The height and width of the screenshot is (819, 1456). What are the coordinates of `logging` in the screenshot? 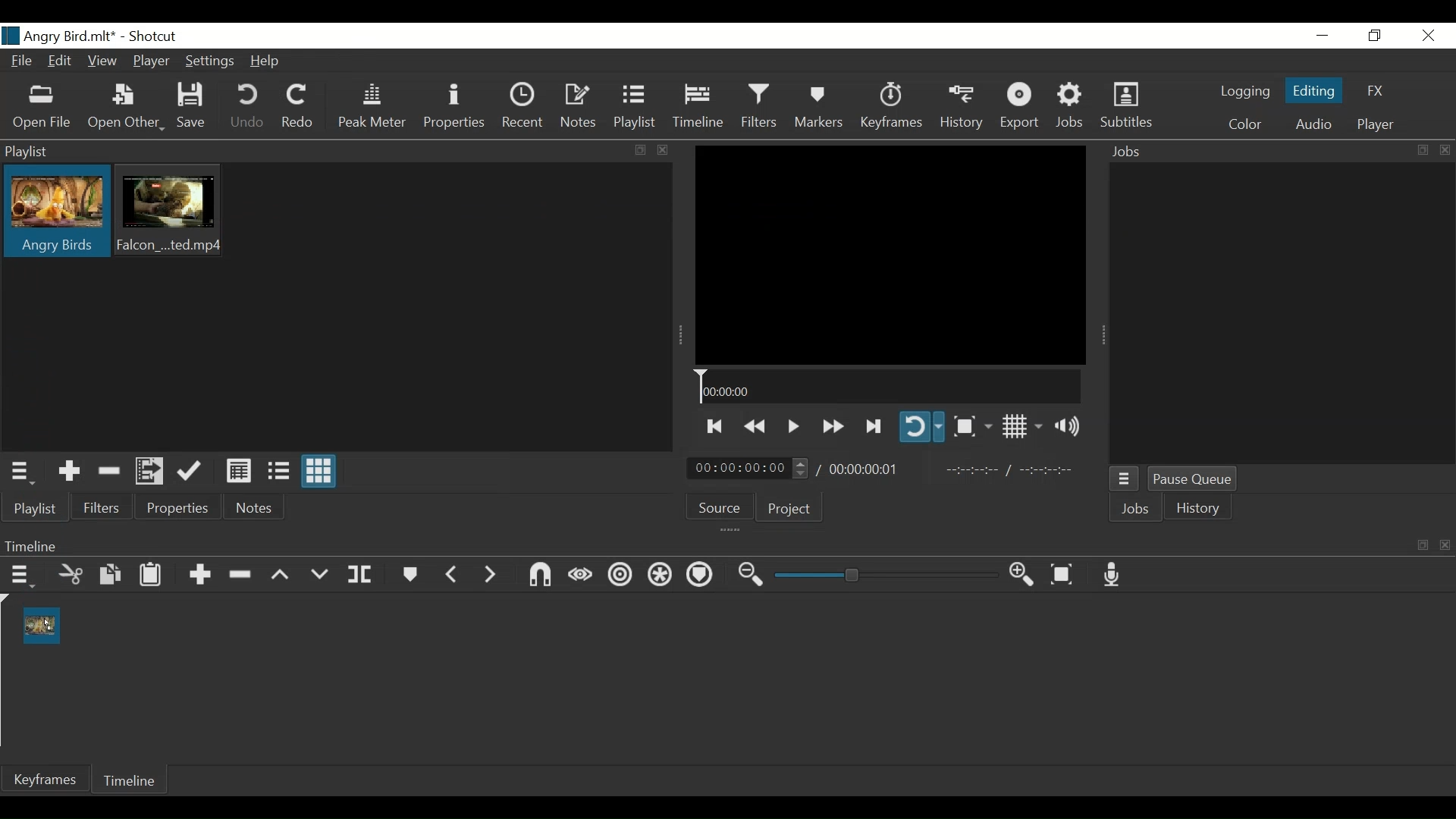 It's located at (1245, 93).